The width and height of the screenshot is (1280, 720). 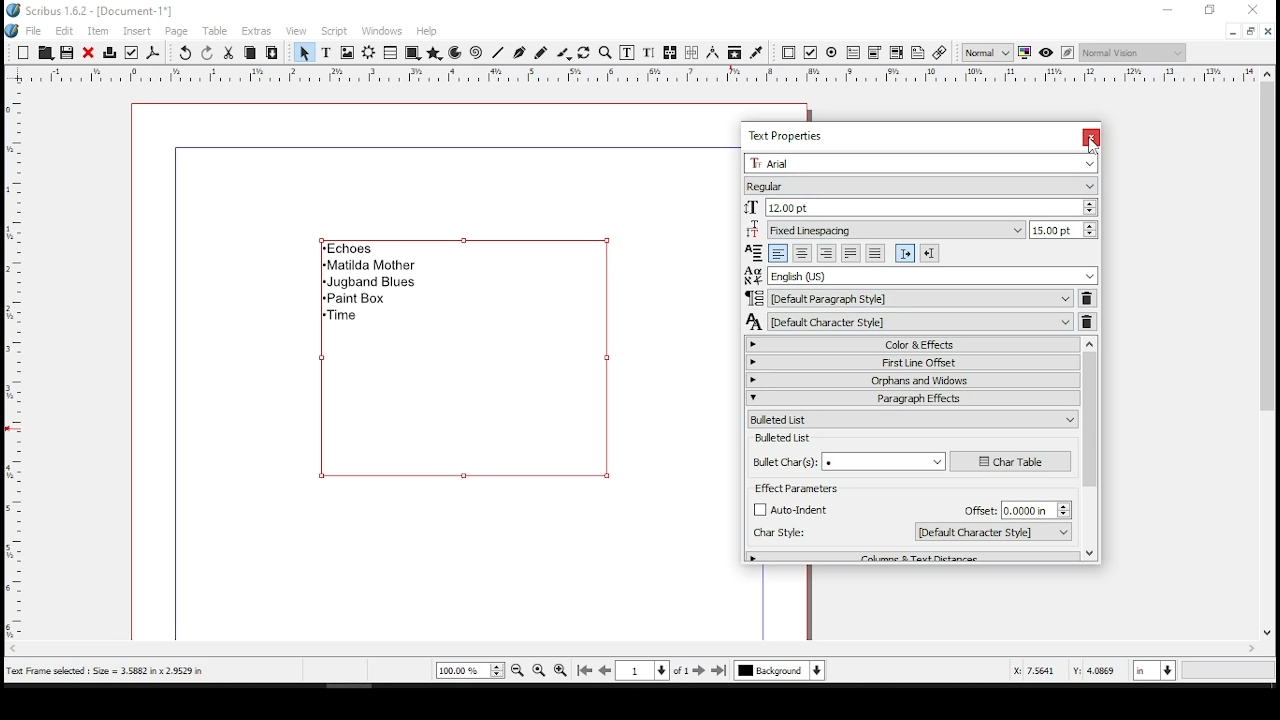 I want to click on text frame, so click(x=326, y=53).